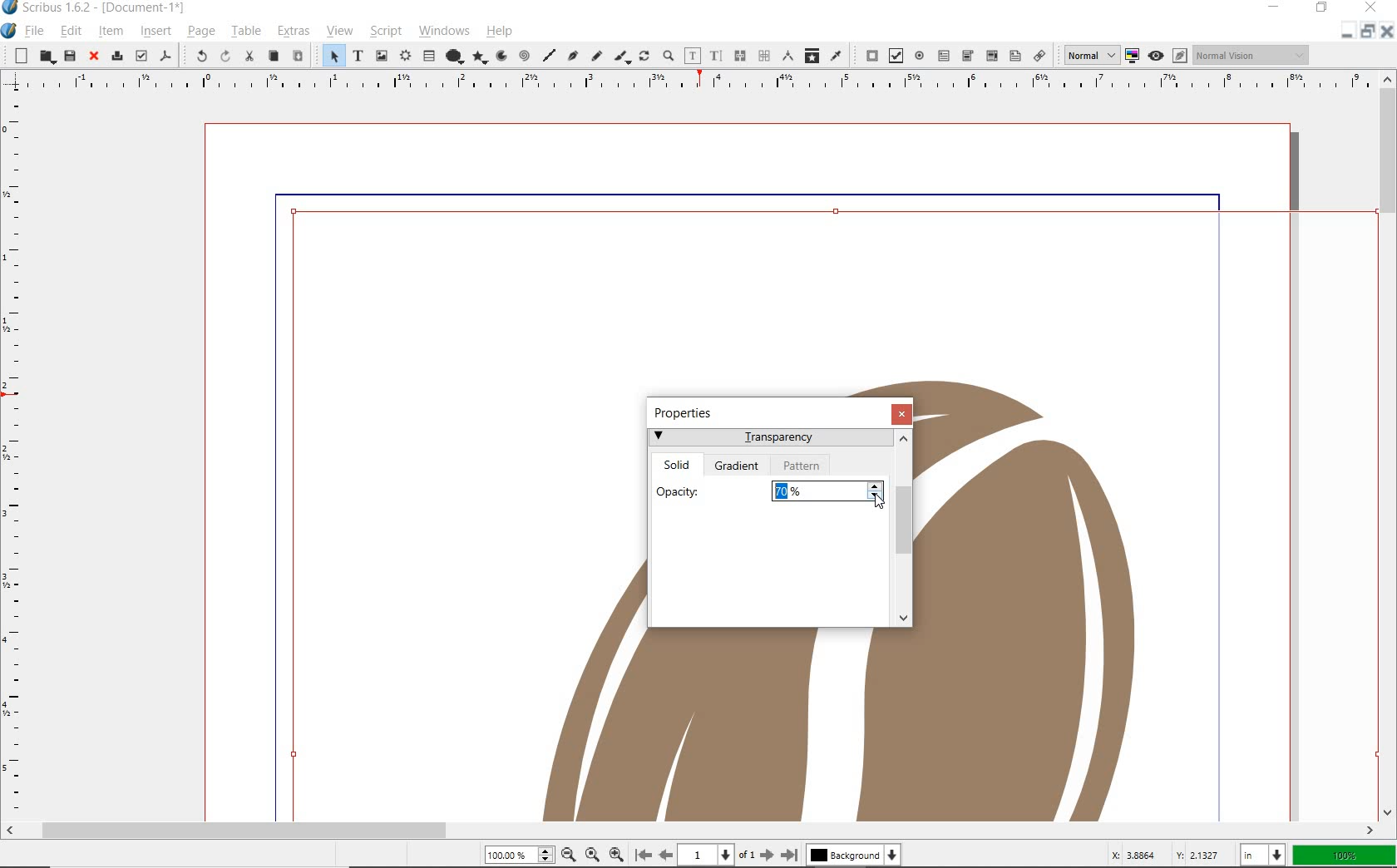  I want to click on preflight verifier, so click(141, 57).